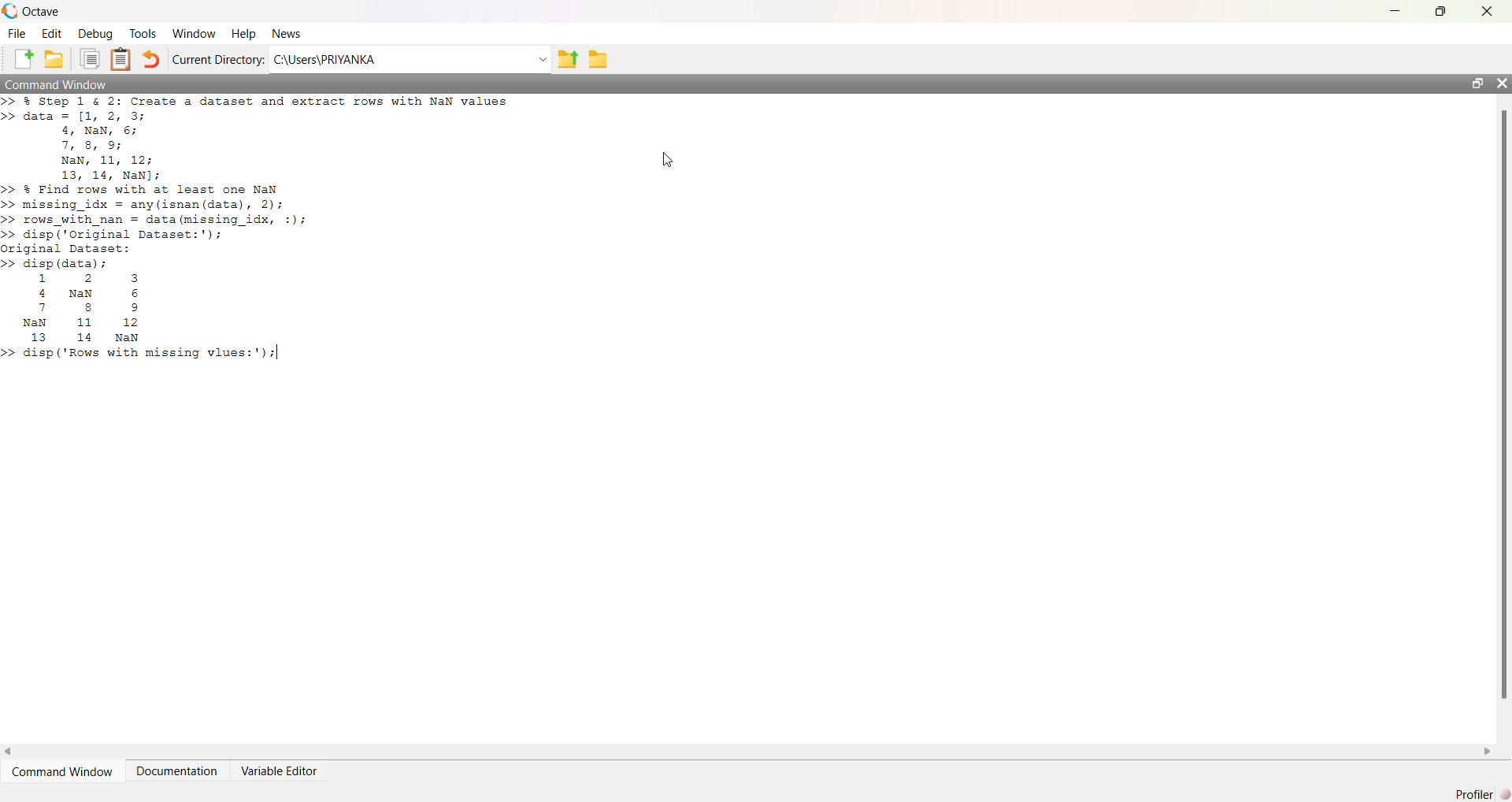 Image resolution: width=1512 pixels, height=802 pixels. What do you see at coordinates (669, 160) in the screenshot?
I see `cursor` at bounding box center [669, 160].